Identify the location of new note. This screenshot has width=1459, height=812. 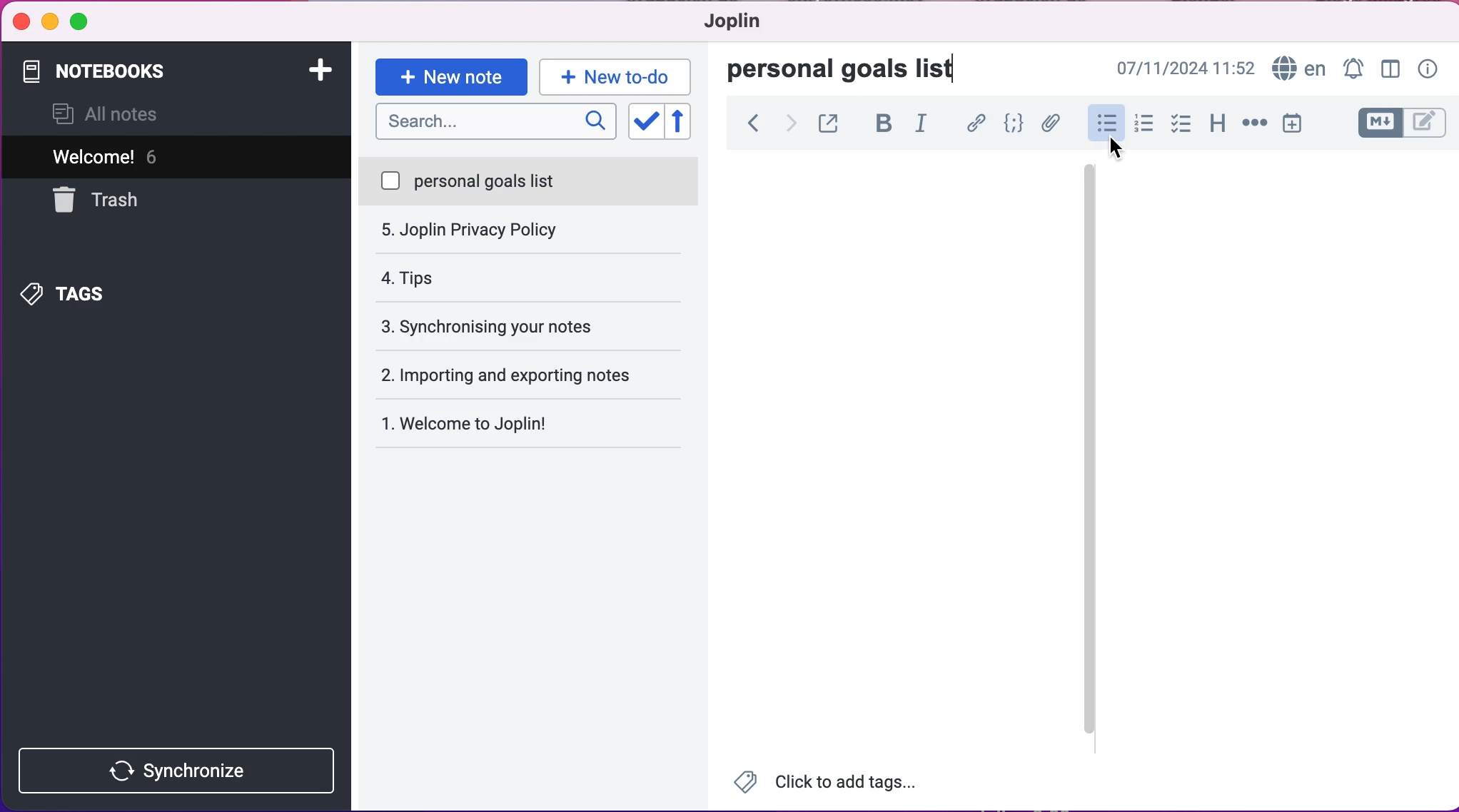
(450, 76).